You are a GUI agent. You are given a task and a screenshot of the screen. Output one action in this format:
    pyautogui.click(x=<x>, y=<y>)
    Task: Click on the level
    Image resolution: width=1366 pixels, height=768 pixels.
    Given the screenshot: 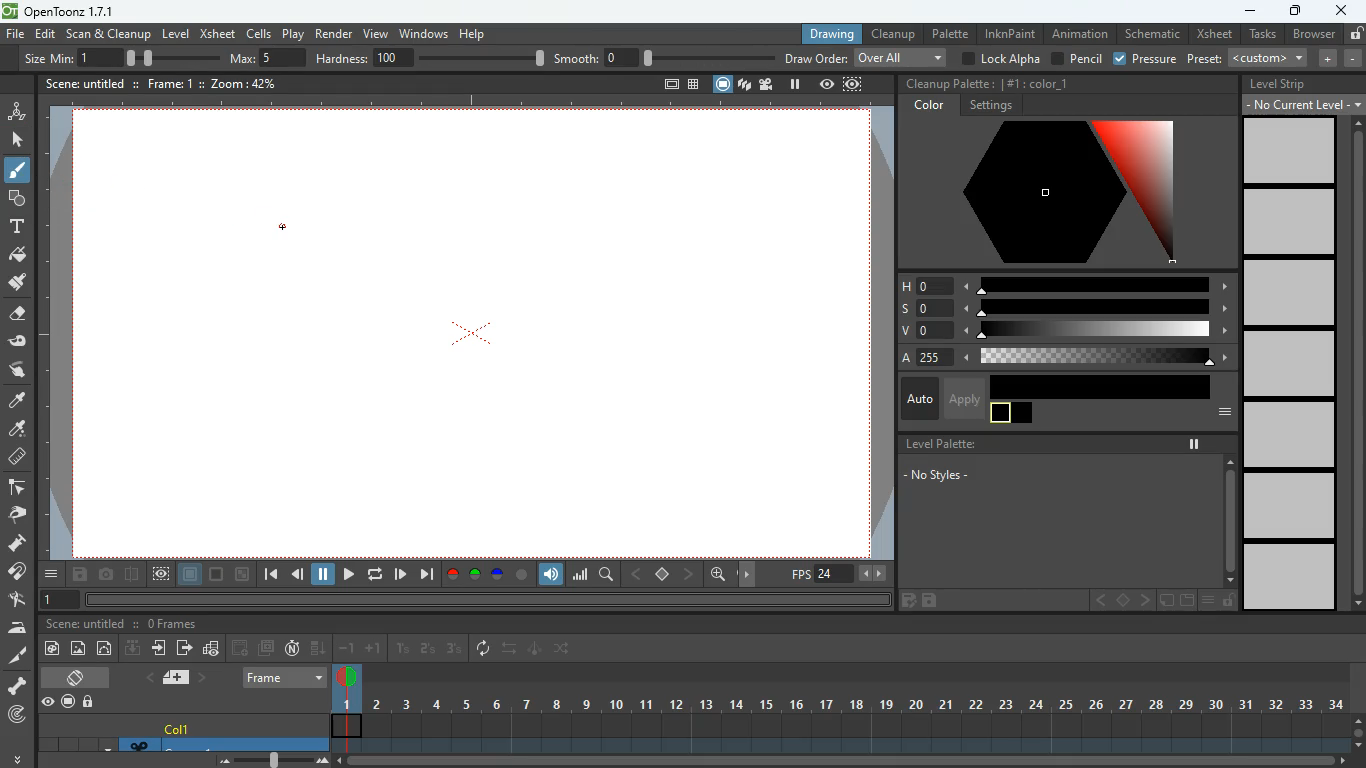 What is the action you would take?
    pyautogui.click(x=1290, y=150)
    